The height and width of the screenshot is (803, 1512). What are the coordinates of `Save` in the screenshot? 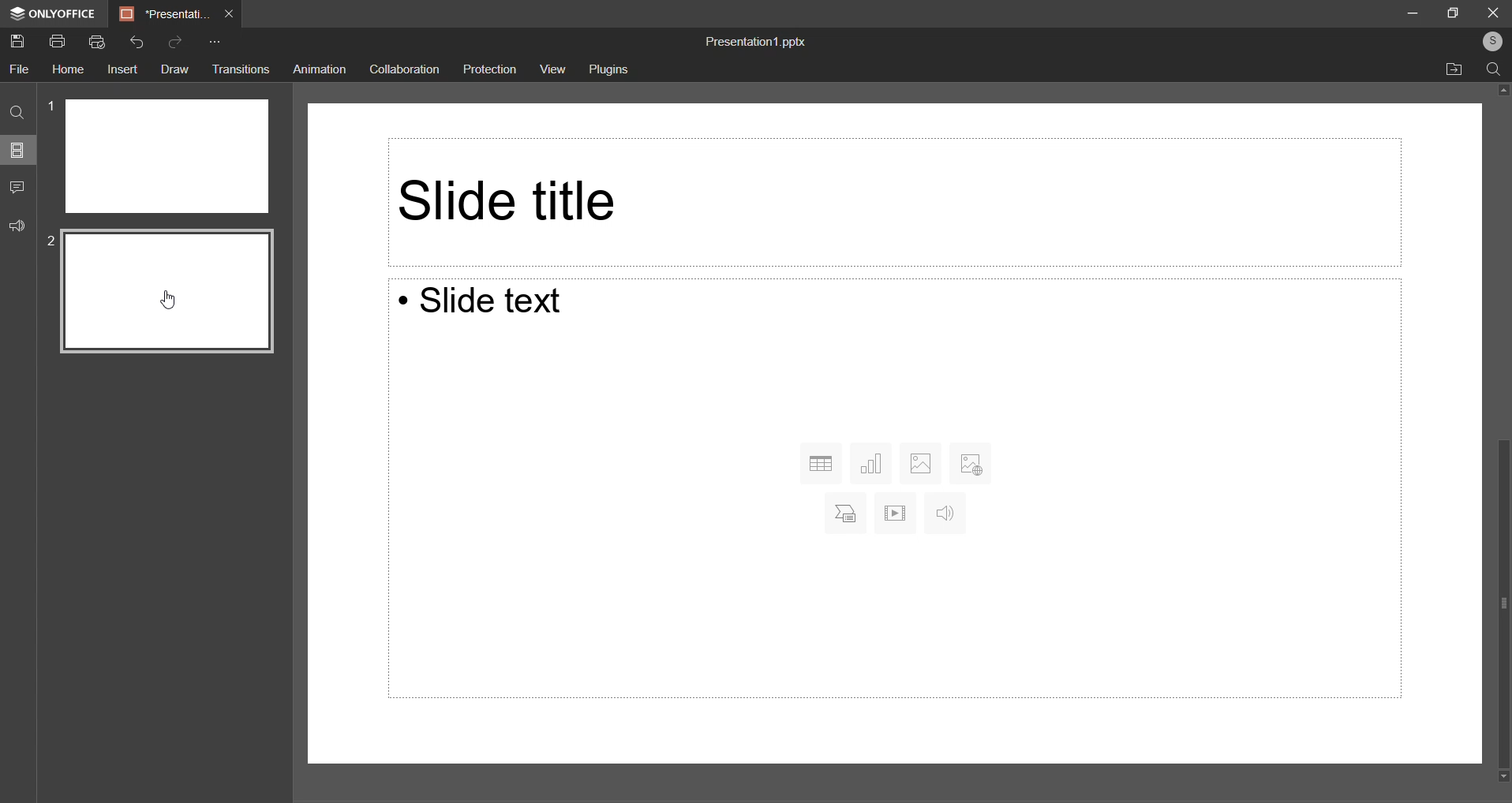 It's located at (21, 43).